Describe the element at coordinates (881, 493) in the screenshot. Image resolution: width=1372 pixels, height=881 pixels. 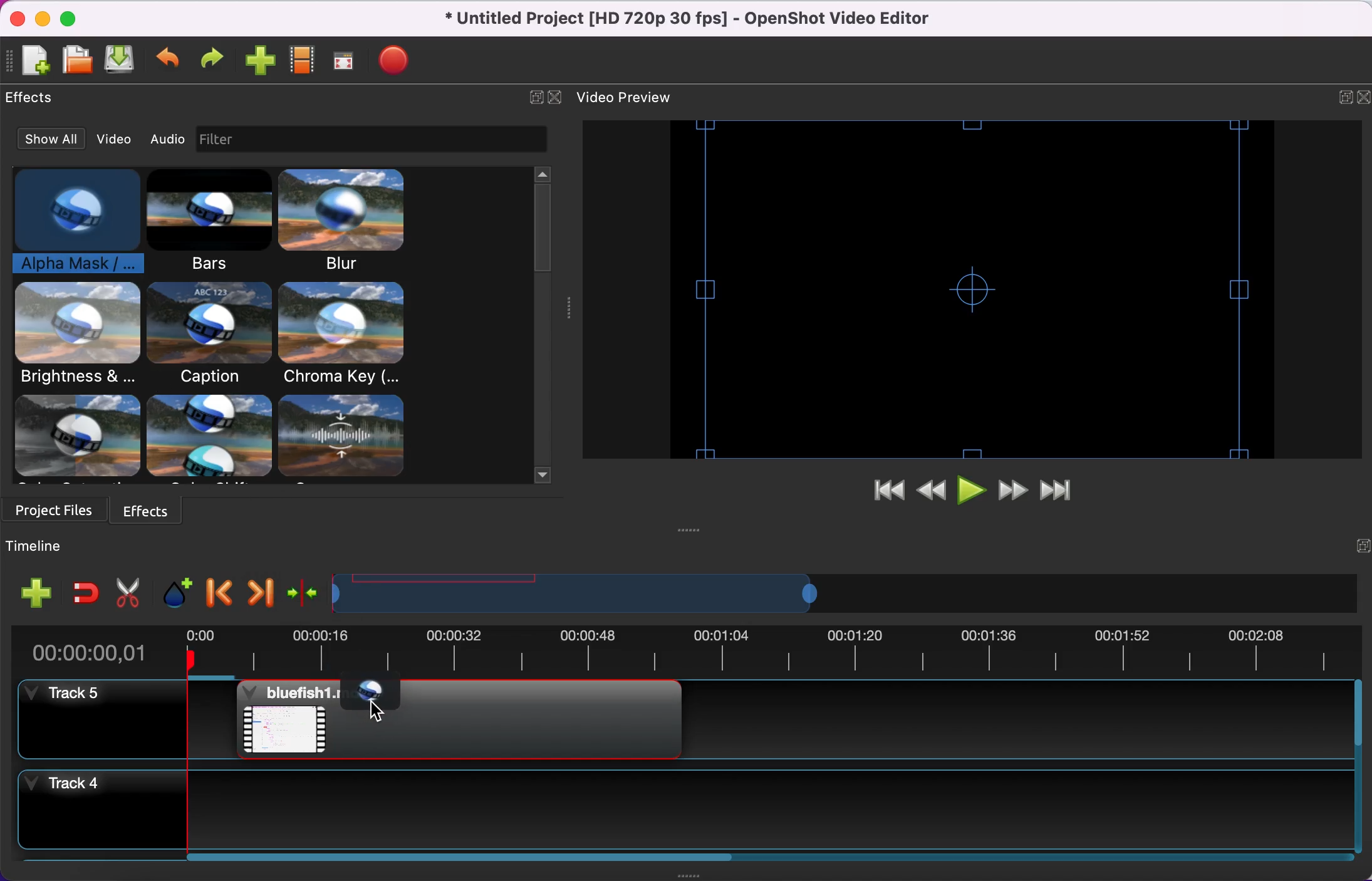
I see `jump to start` at that location.